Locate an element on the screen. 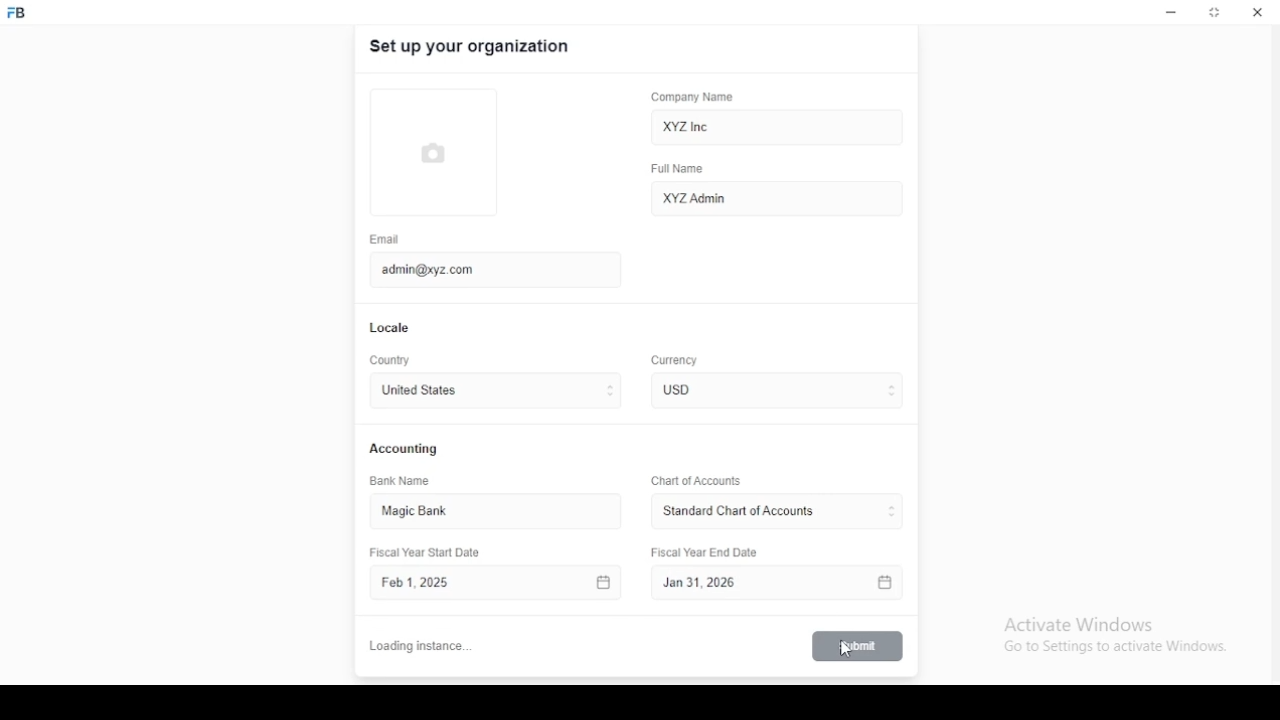 The width and height of the screenshot is (1280, 720). Fiscal Year Start Date is located at coordinates (432, 553).